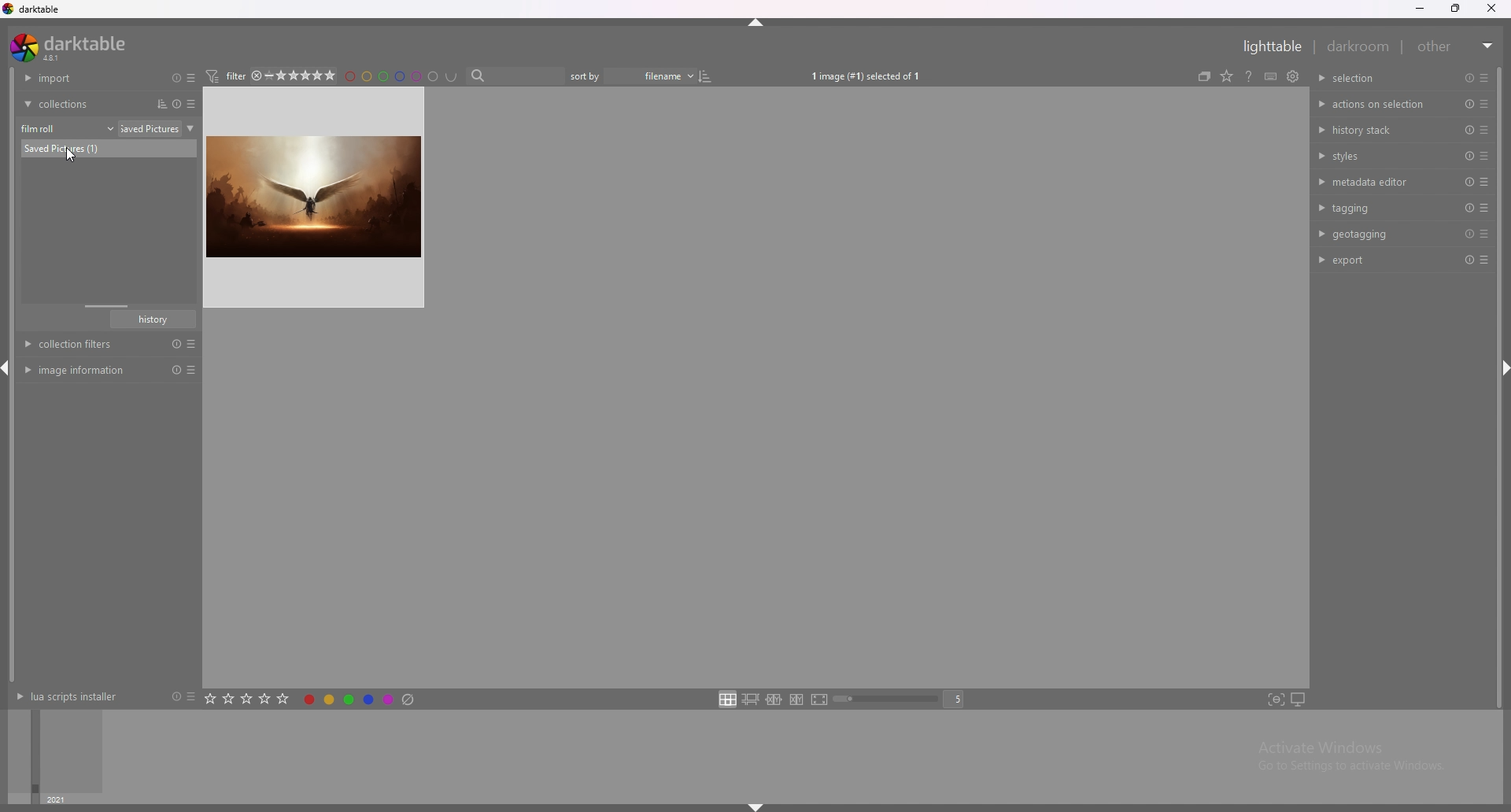 This screenshot has width=1511, height=812. Describe the element at coordinates (109, 370) in the screenshot. I see `image information` at that location.